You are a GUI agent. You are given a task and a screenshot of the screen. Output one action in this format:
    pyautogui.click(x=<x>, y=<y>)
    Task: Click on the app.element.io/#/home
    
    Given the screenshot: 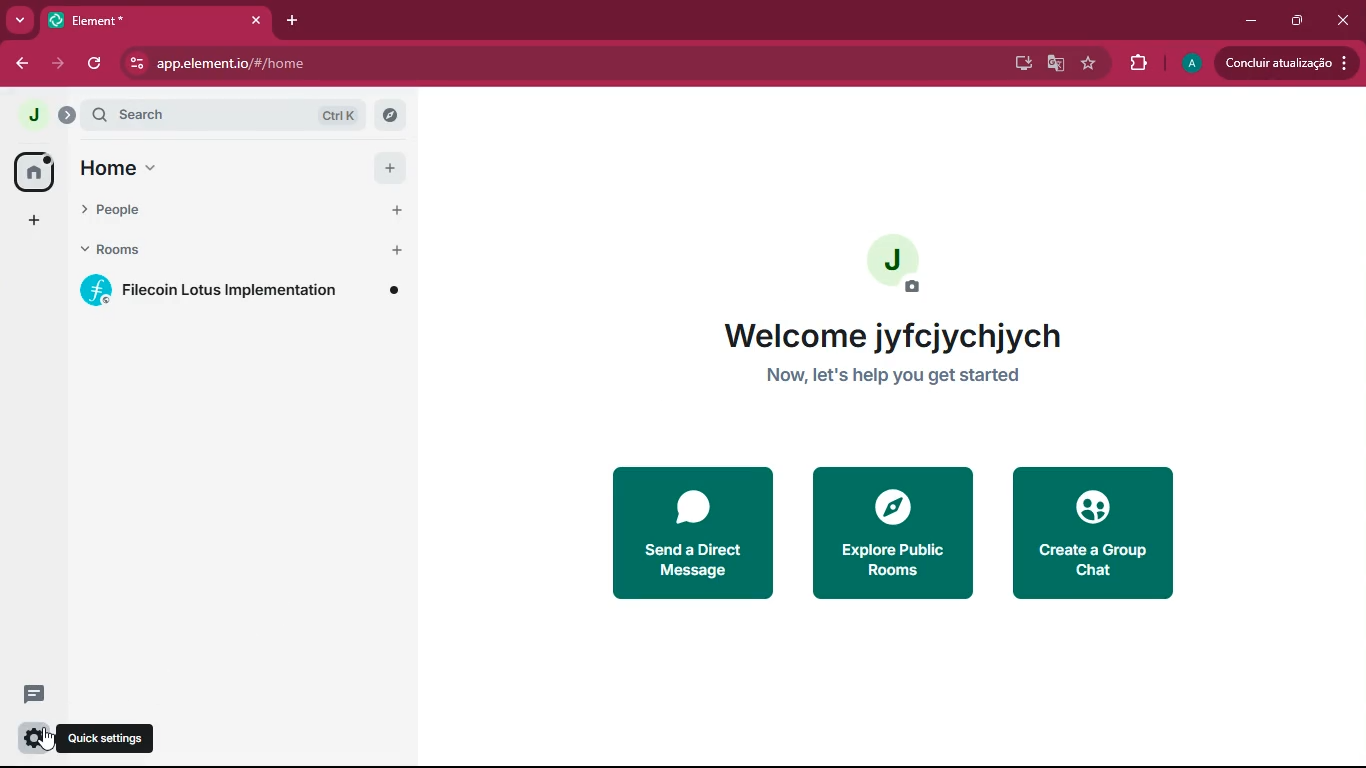 What is the action you would take?
    pyautogui.click(x=250, y=63)
    